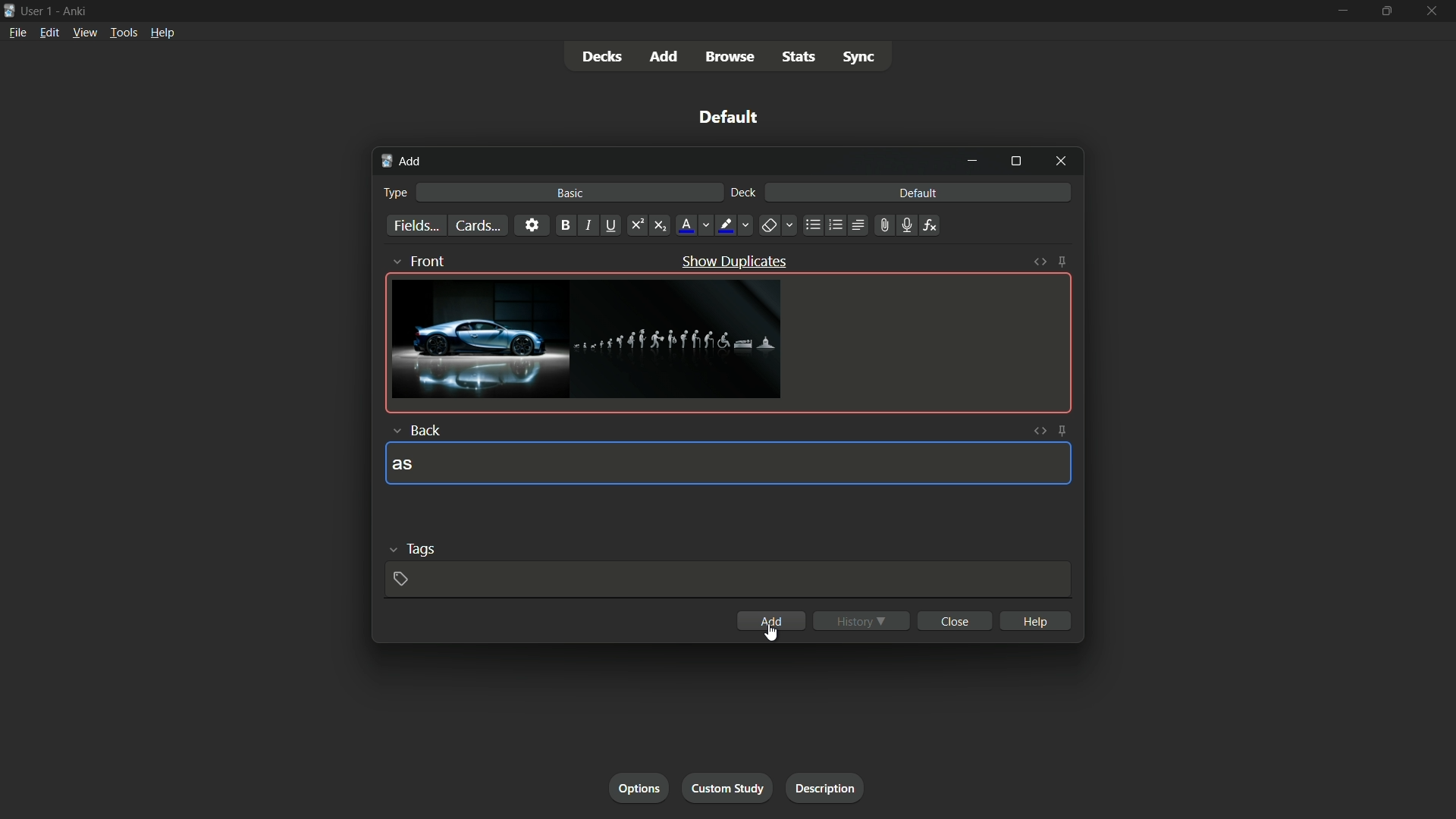 The image size is (1456, 819). Describe the element at coordinates (661, 225) in the screenshot. I see `subscript` at that location.